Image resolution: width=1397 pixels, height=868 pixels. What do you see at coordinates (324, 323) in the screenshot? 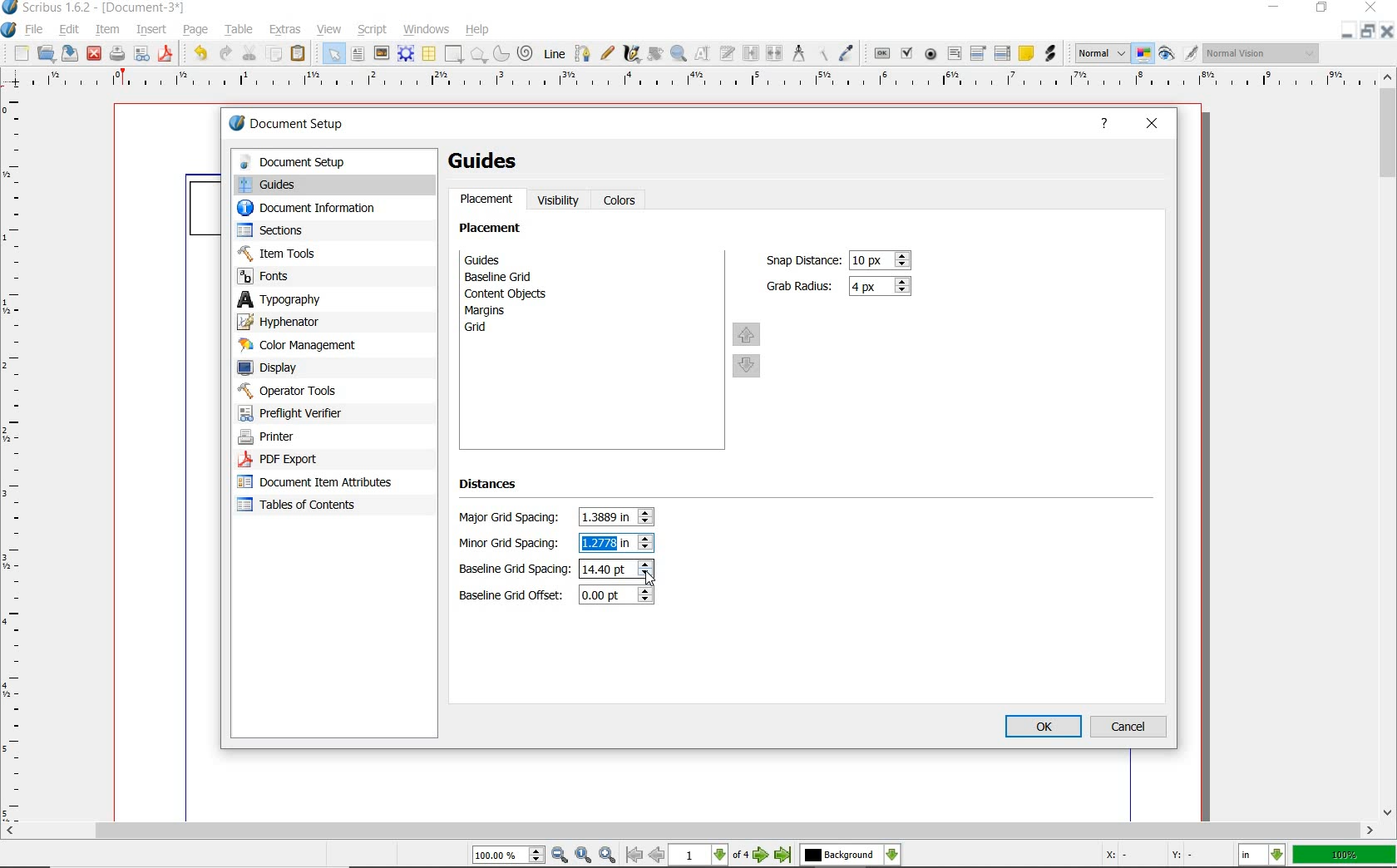
I see `hyphenator` at bounding box center [324, 323].